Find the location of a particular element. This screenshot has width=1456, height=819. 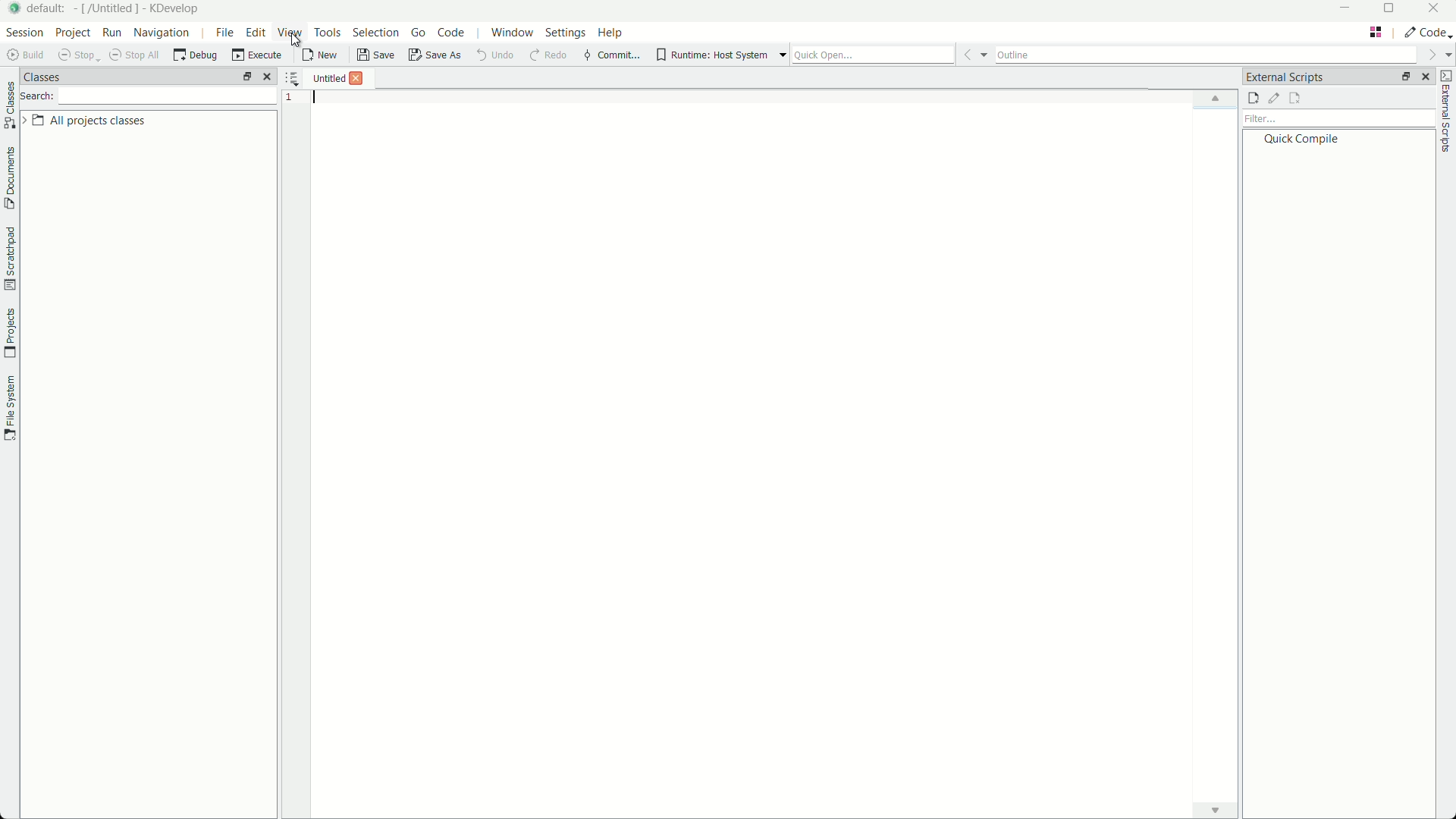

close pane is located at coordinates (271, 78).